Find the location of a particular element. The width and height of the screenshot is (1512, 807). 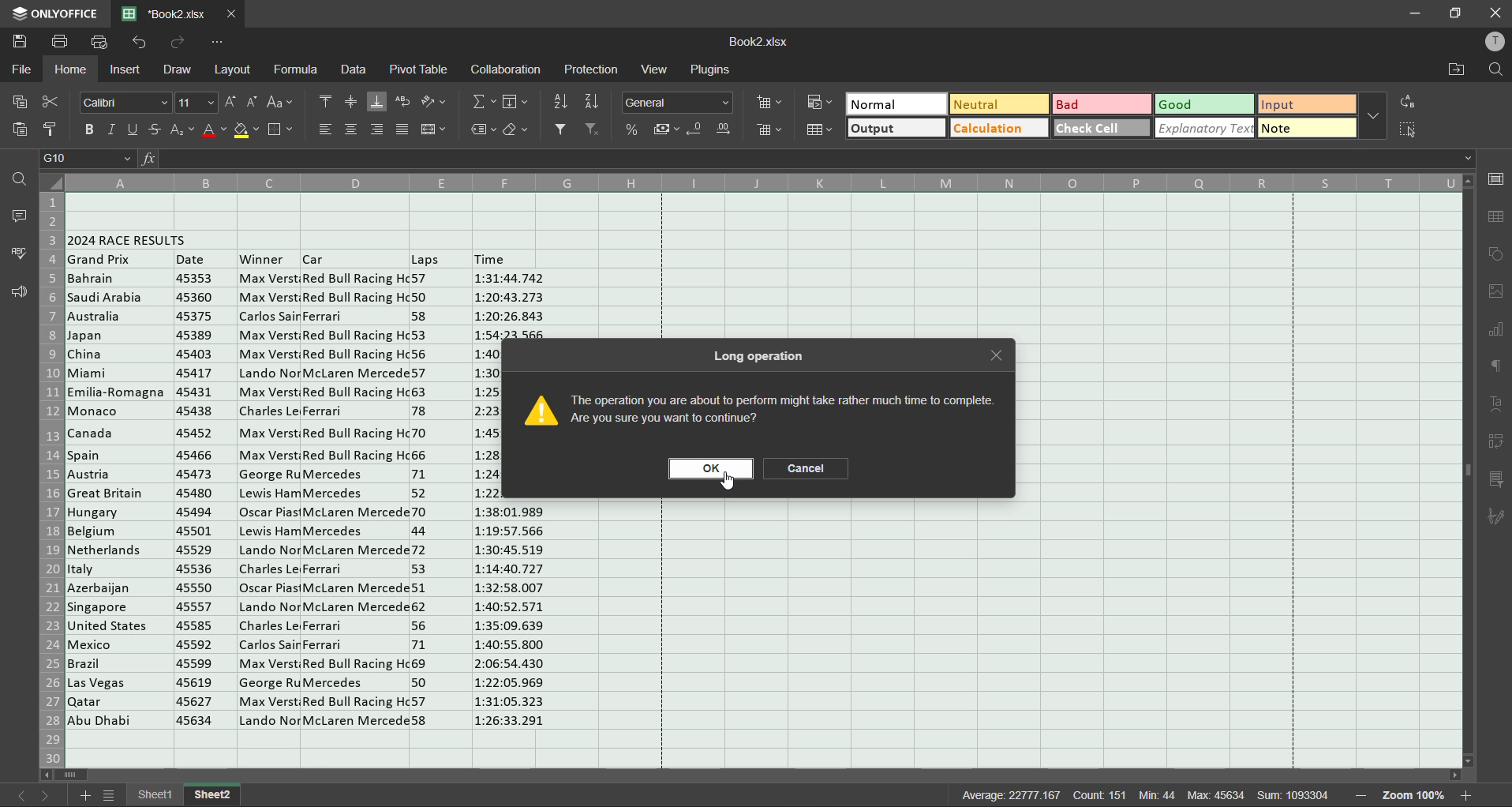

cut is located at coordinates (52, 102).